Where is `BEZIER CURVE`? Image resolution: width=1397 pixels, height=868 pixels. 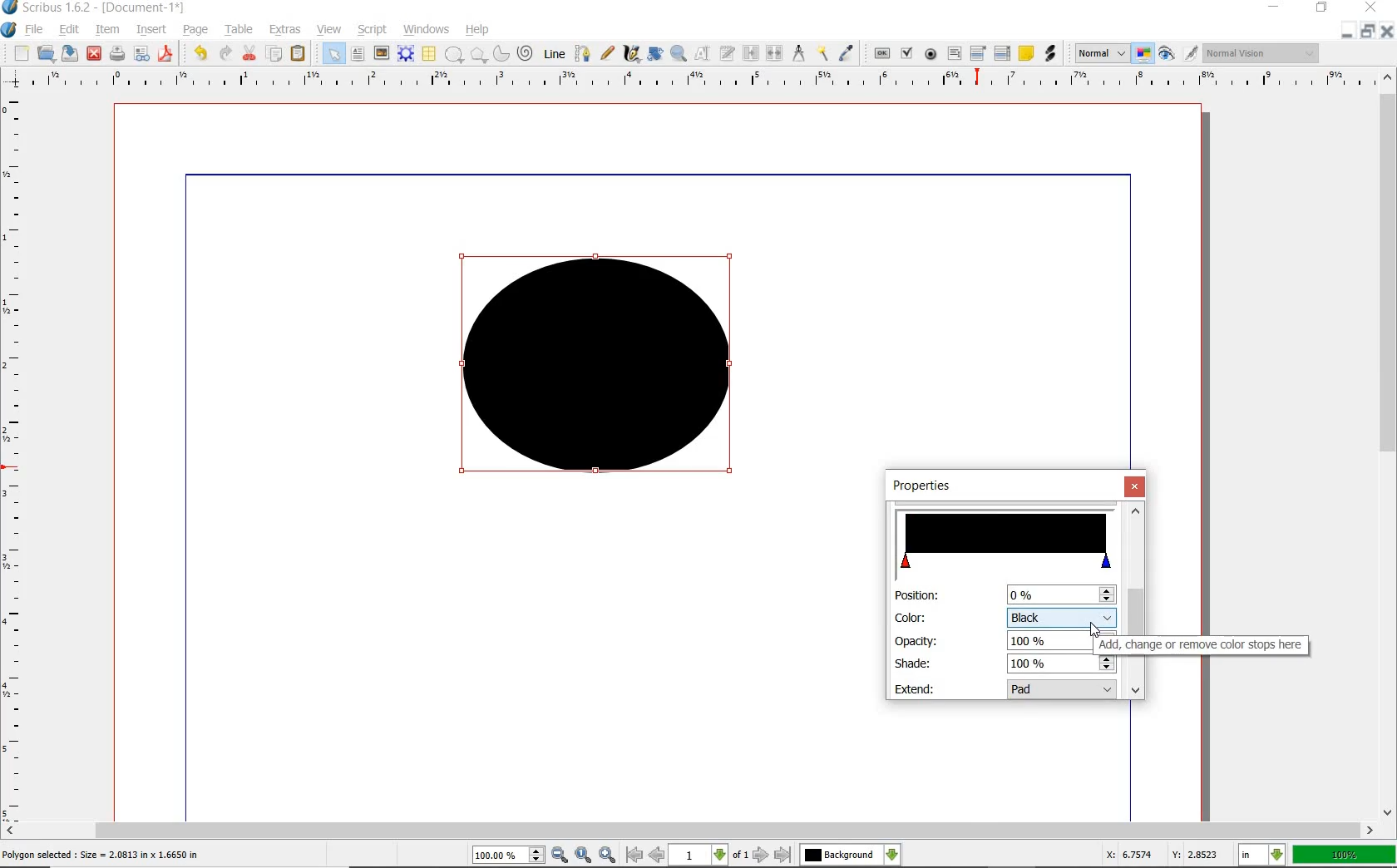
BEZIER CURVE is located at coordinates (583, 53).